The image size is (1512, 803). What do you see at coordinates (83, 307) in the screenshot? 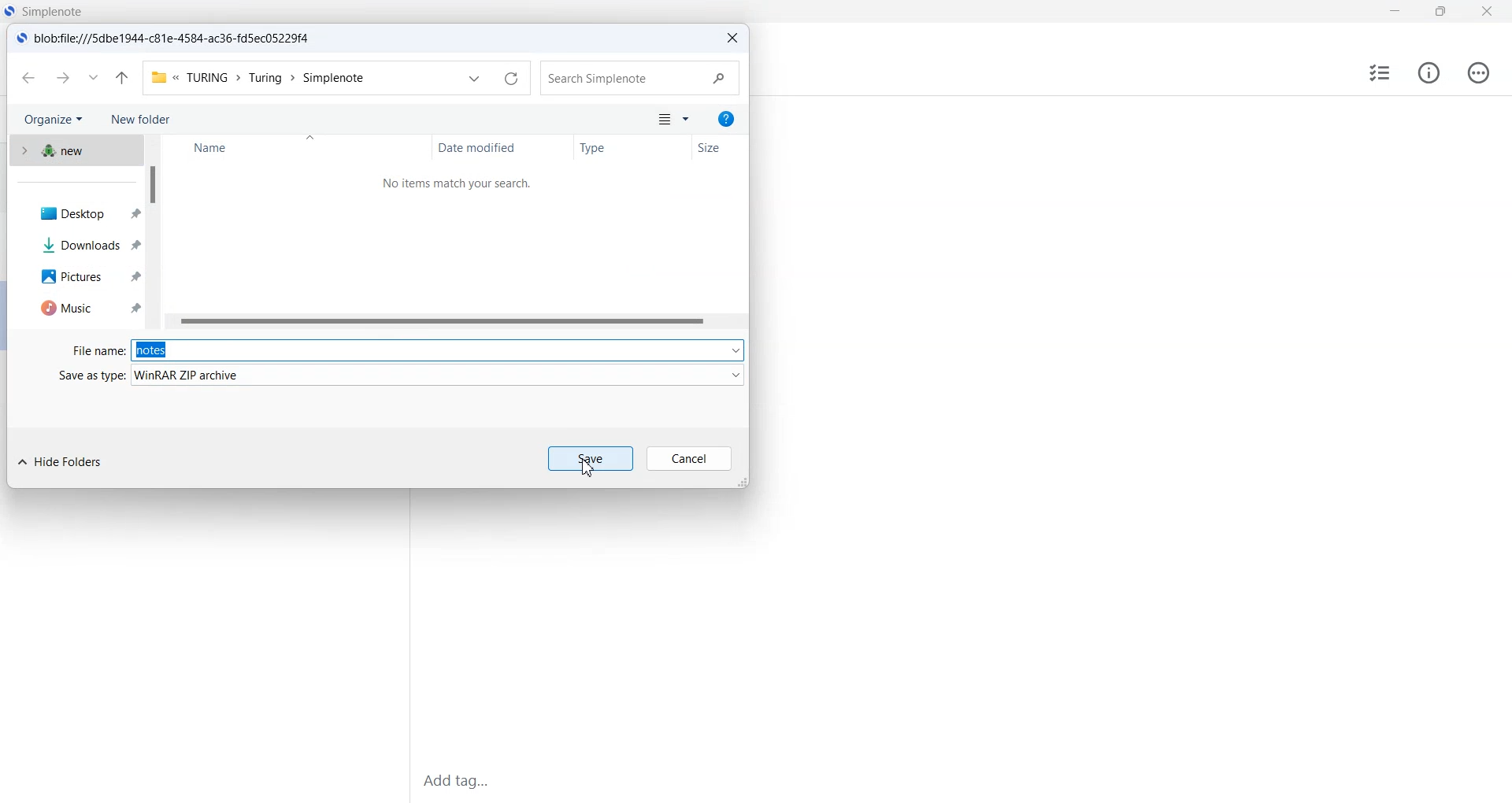
I see `Music` at bounding box center [83, 307].